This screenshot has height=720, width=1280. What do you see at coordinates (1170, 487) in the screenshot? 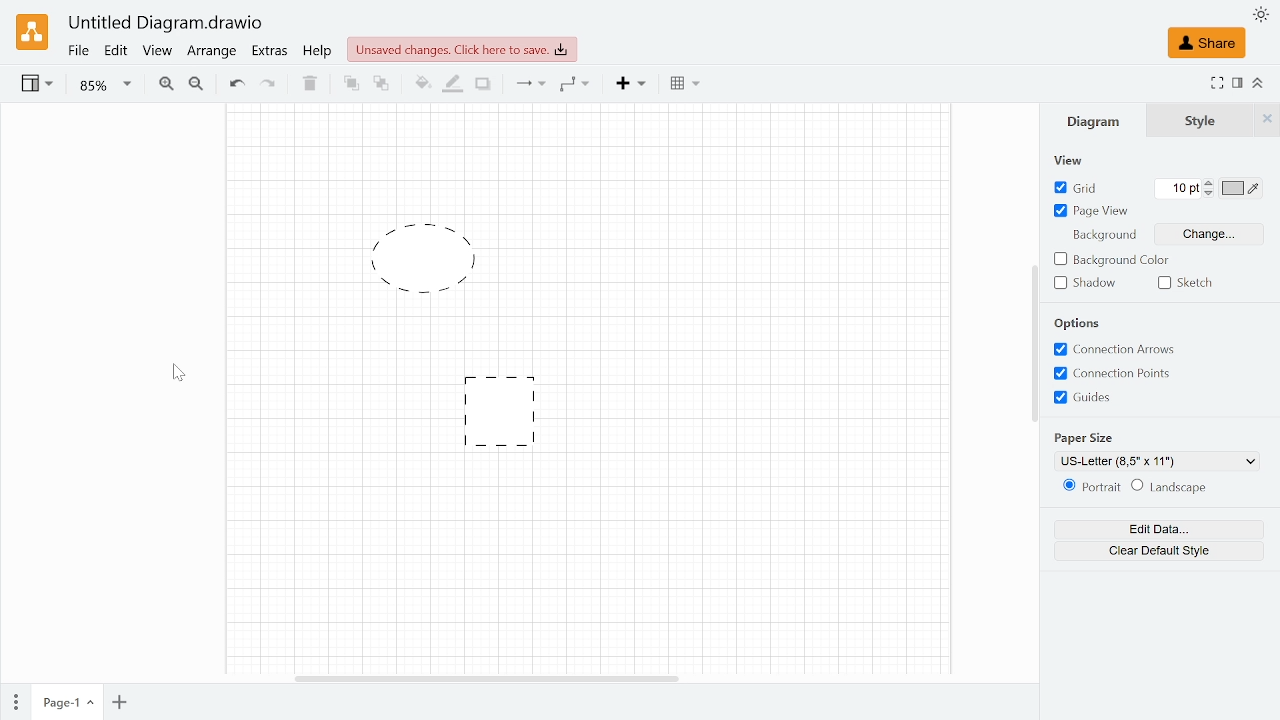
I see `landscape` at bounding box center [1170, 487].